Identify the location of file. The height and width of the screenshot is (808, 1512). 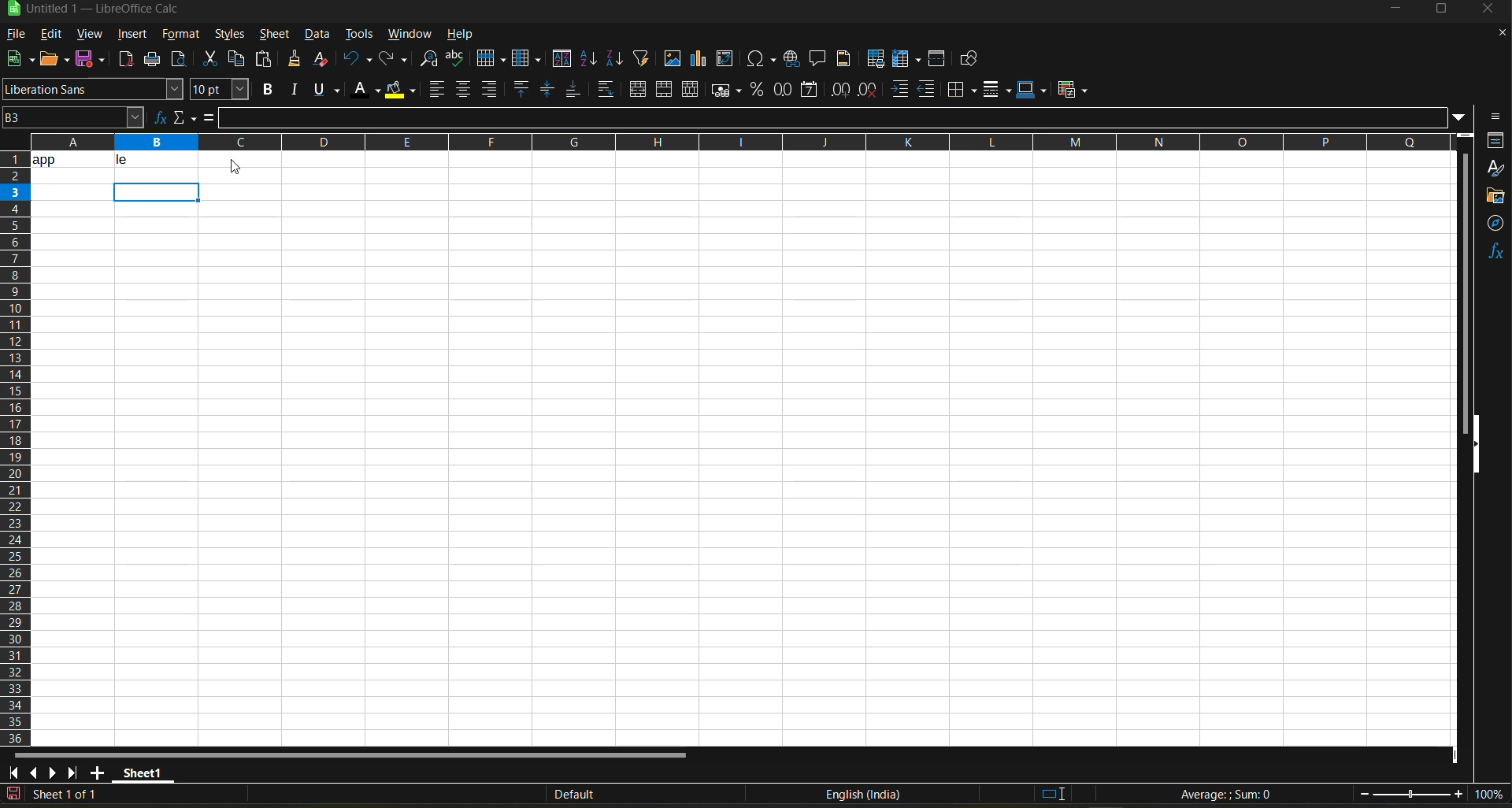
(21, 35).